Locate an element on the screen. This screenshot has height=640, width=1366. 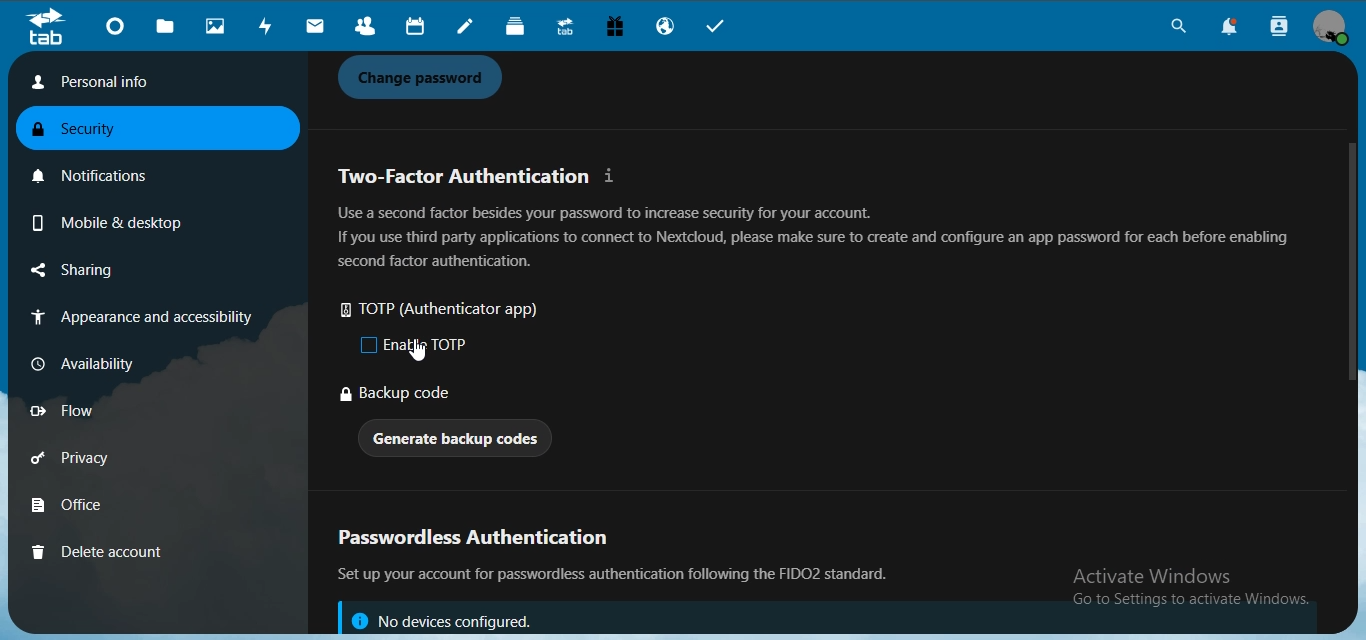
dashboard is located at coordinates (118, 29).